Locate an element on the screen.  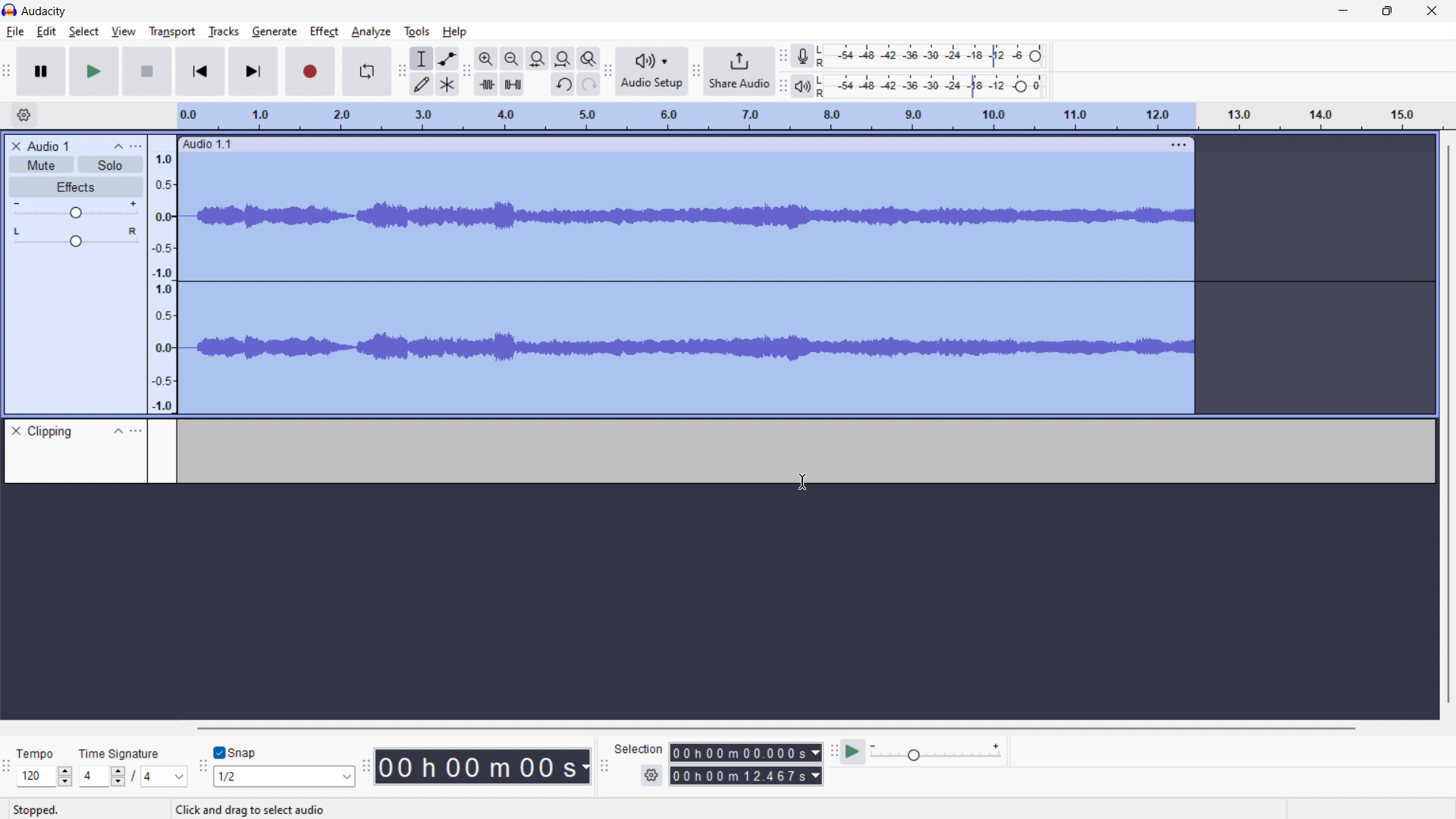
share audio is located at coordinates (739, 71).